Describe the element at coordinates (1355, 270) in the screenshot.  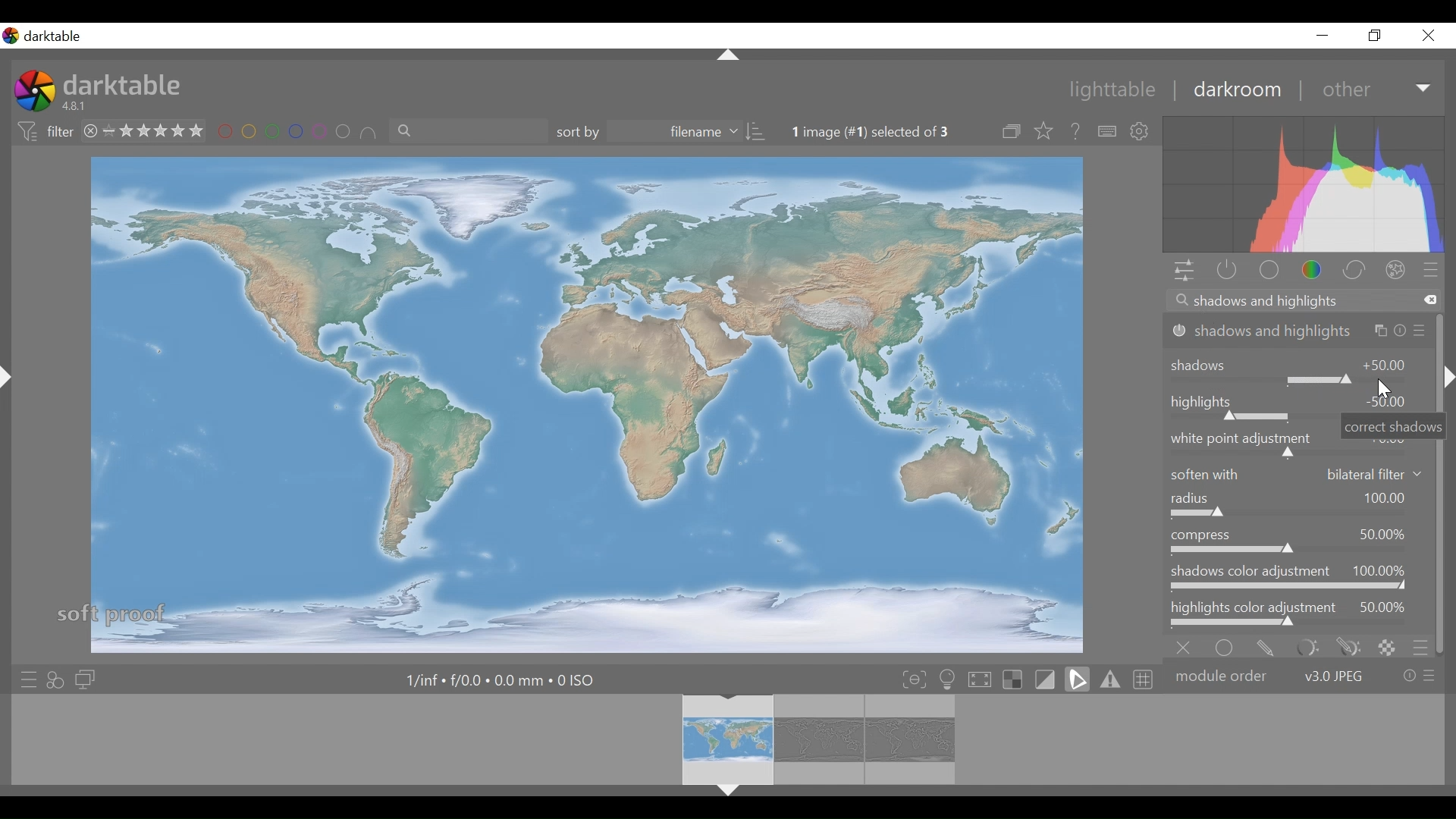
I see `correct` at that location.